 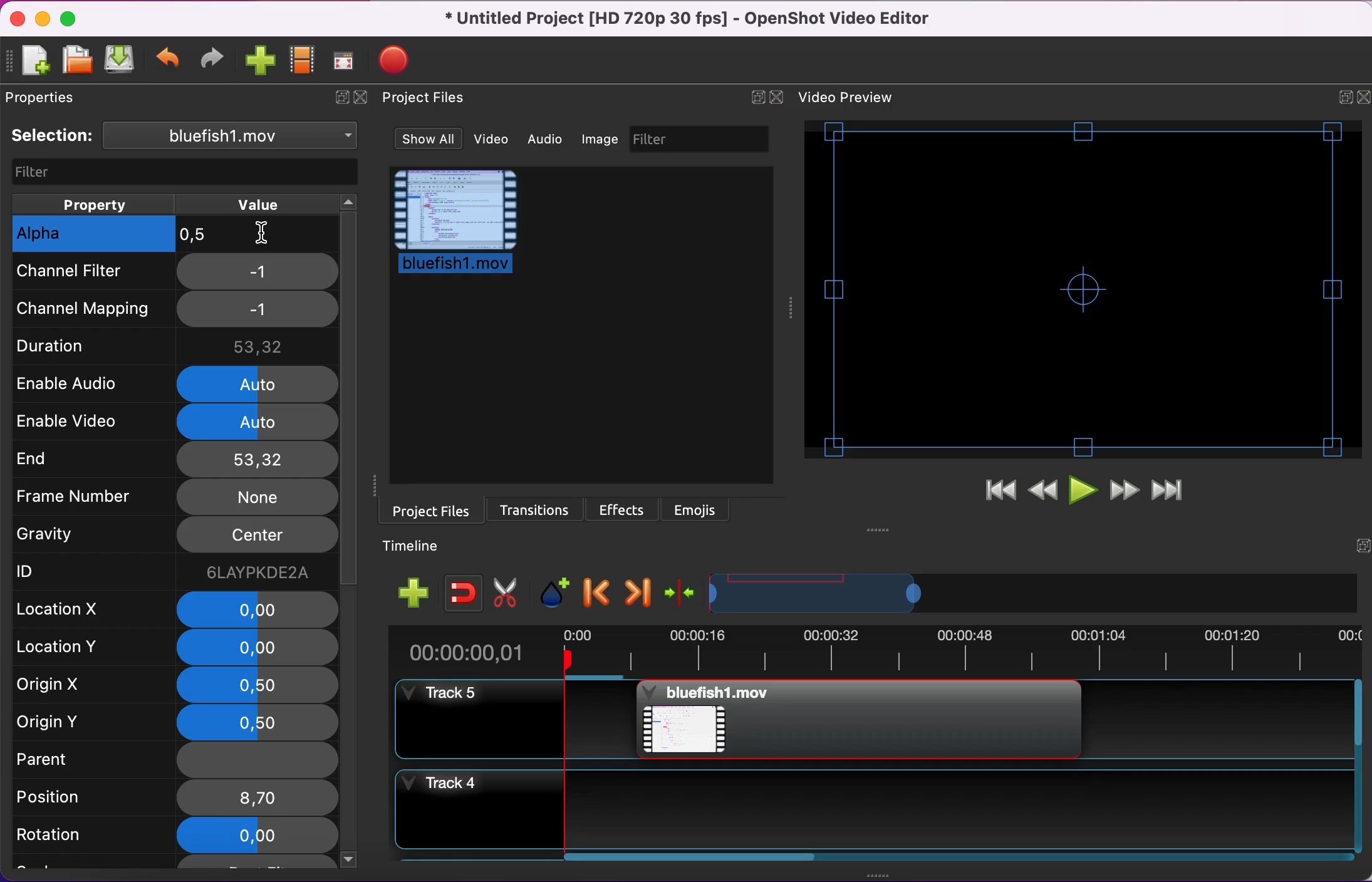 I want to click on selection, so click(x=186, y=137).